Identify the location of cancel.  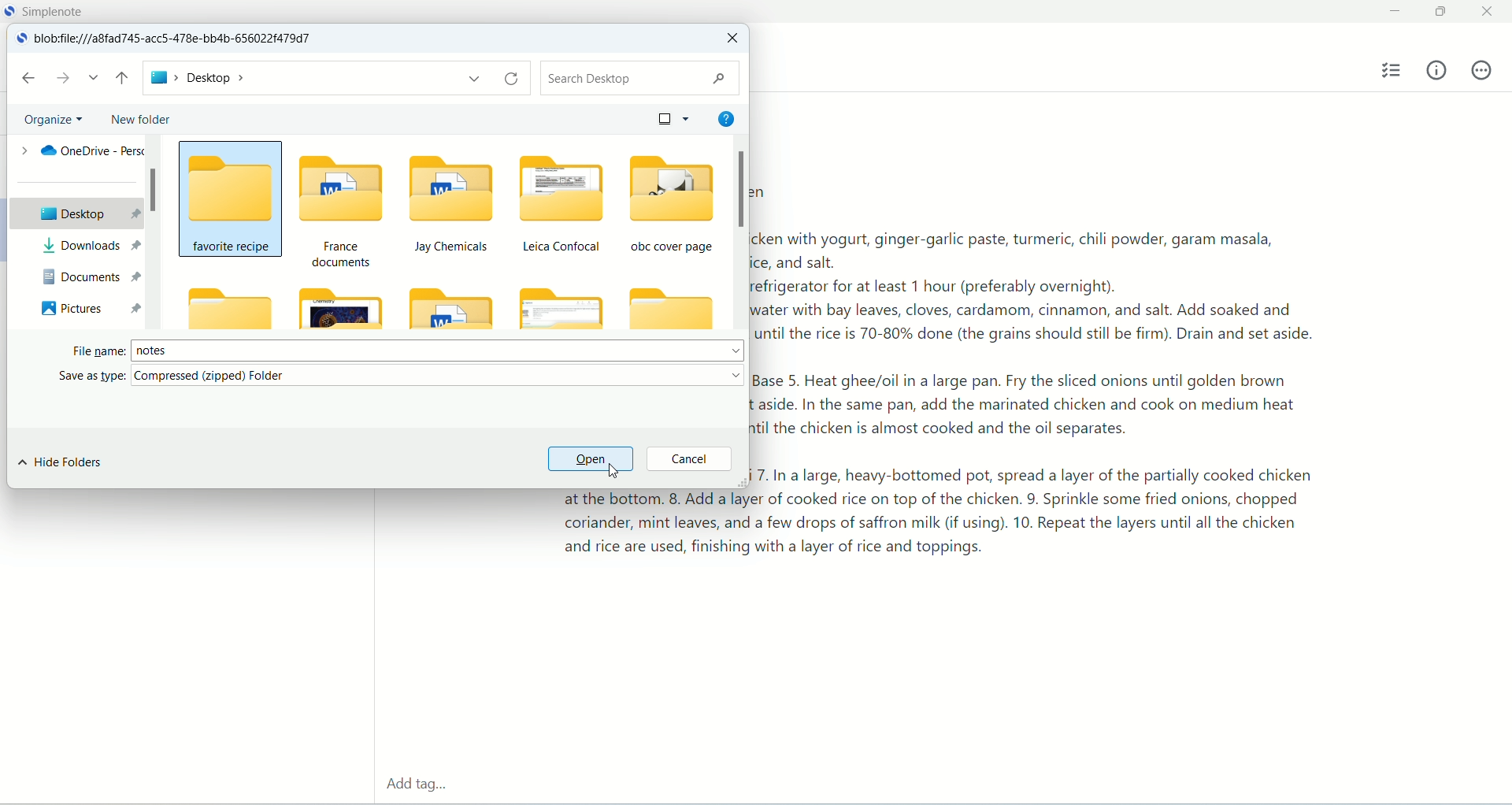
(689, 460).